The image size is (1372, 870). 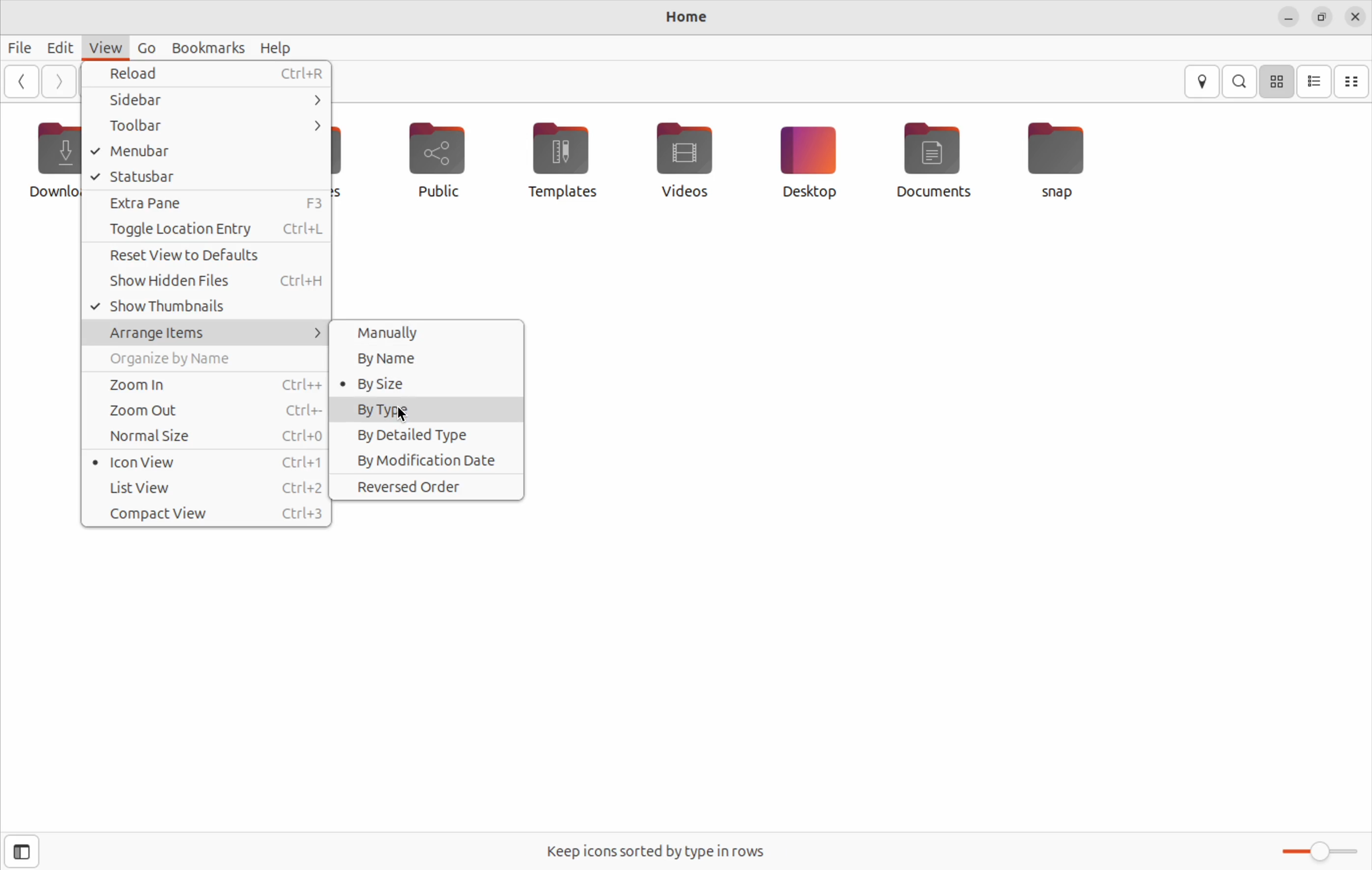 What do you see at coordinates (20, 81) in the screenshot?
I see `Go back` at bounding box center [20, 81].